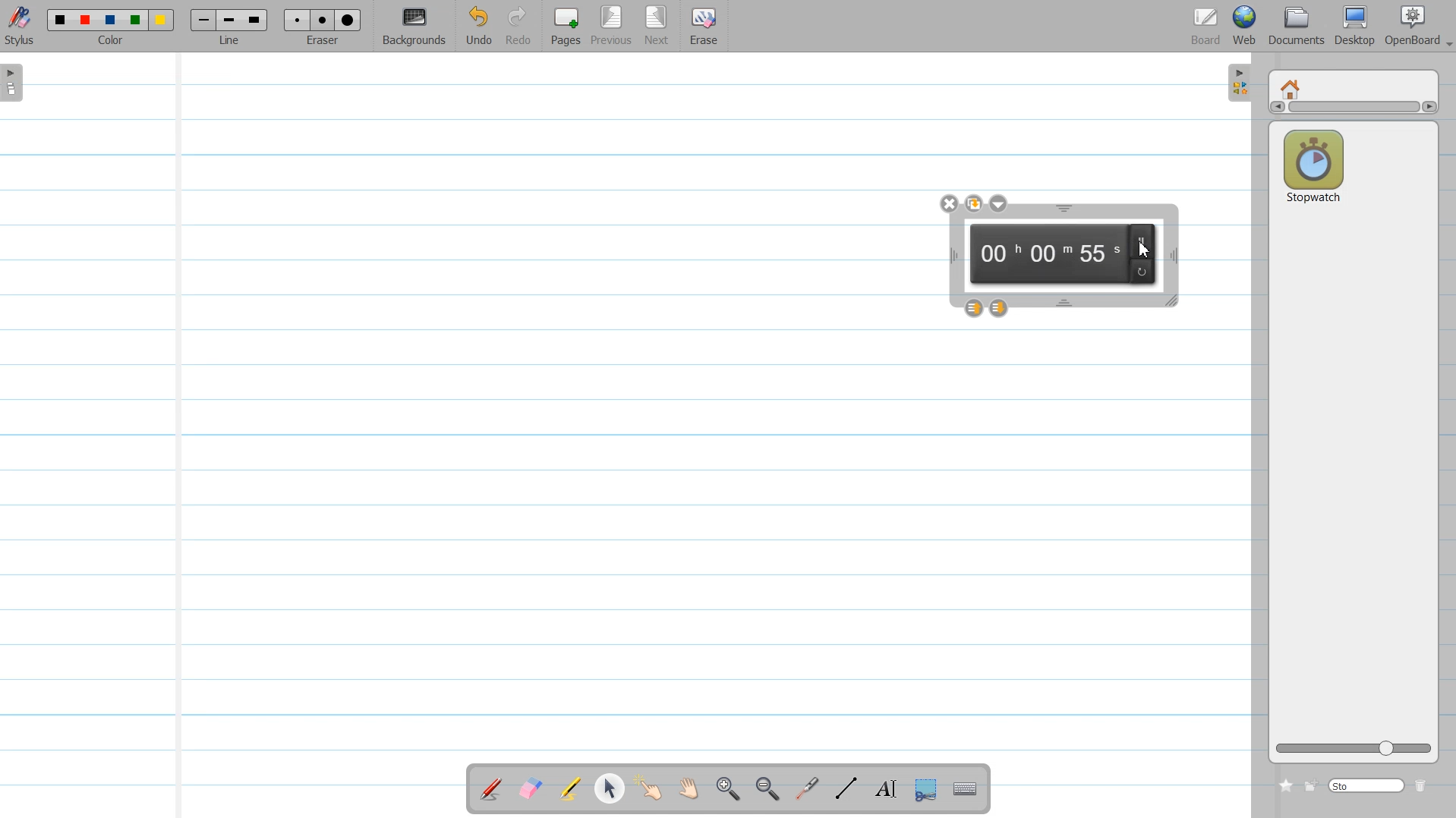 The height and width of the screenshot is (818, 1456). I want to click on Create new folder, so click(1312, 785).